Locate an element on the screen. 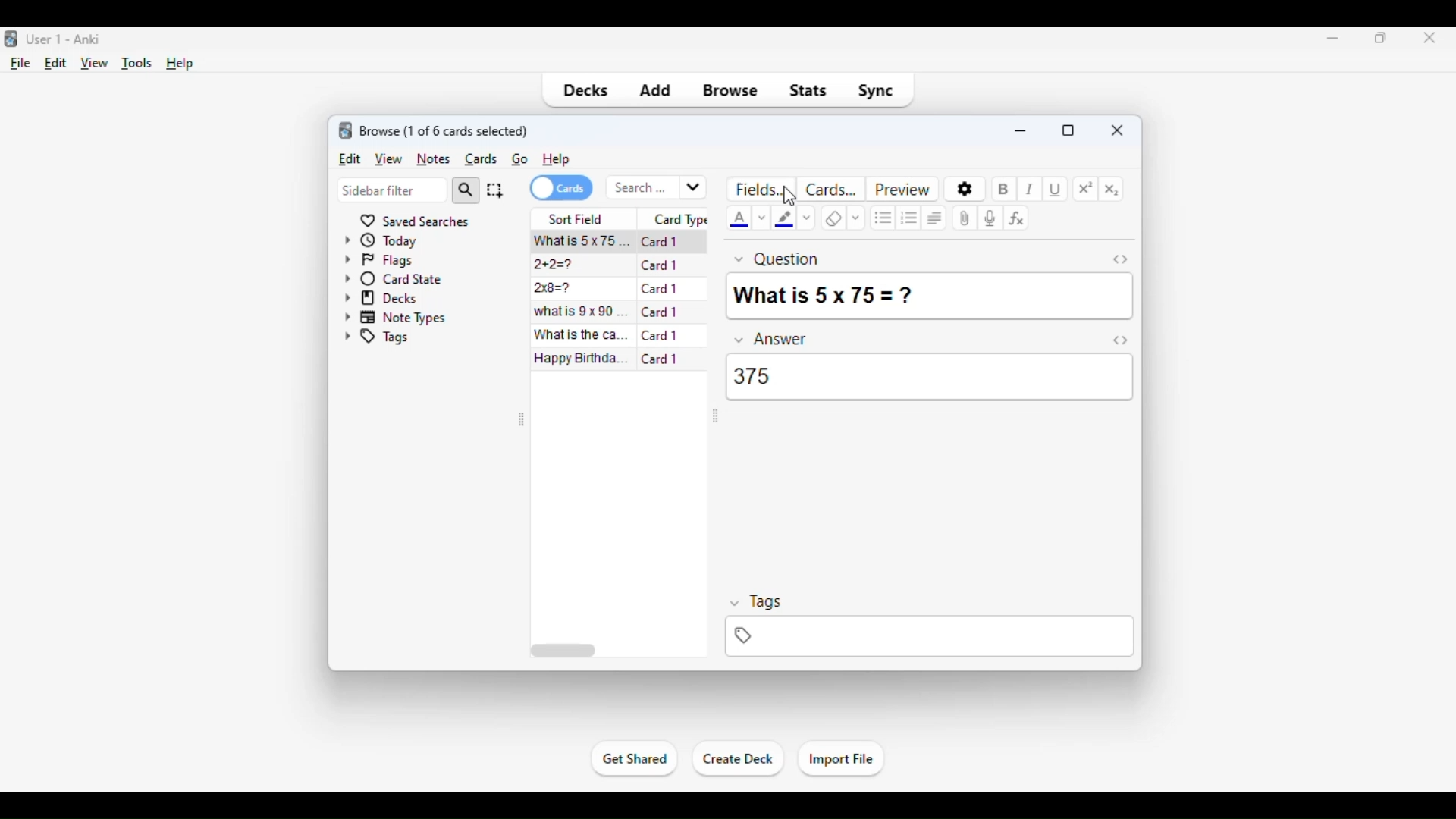 The image size is (1456, 819). change color is located at coordinates (807, 219).